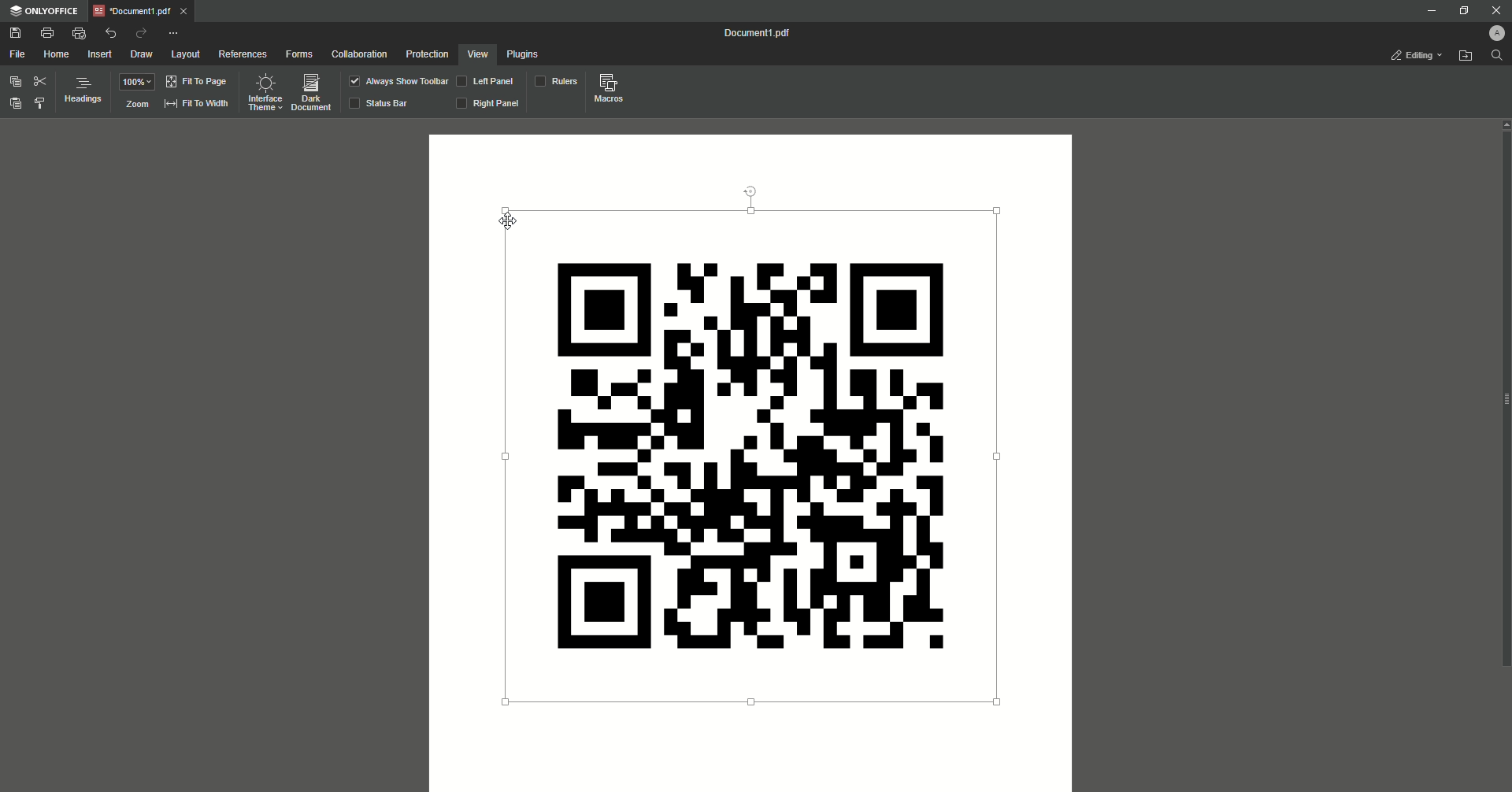  What do you see at coordinates (100, 54) in the screenshot?
I see `Insert` at bounding box center [100, 54].